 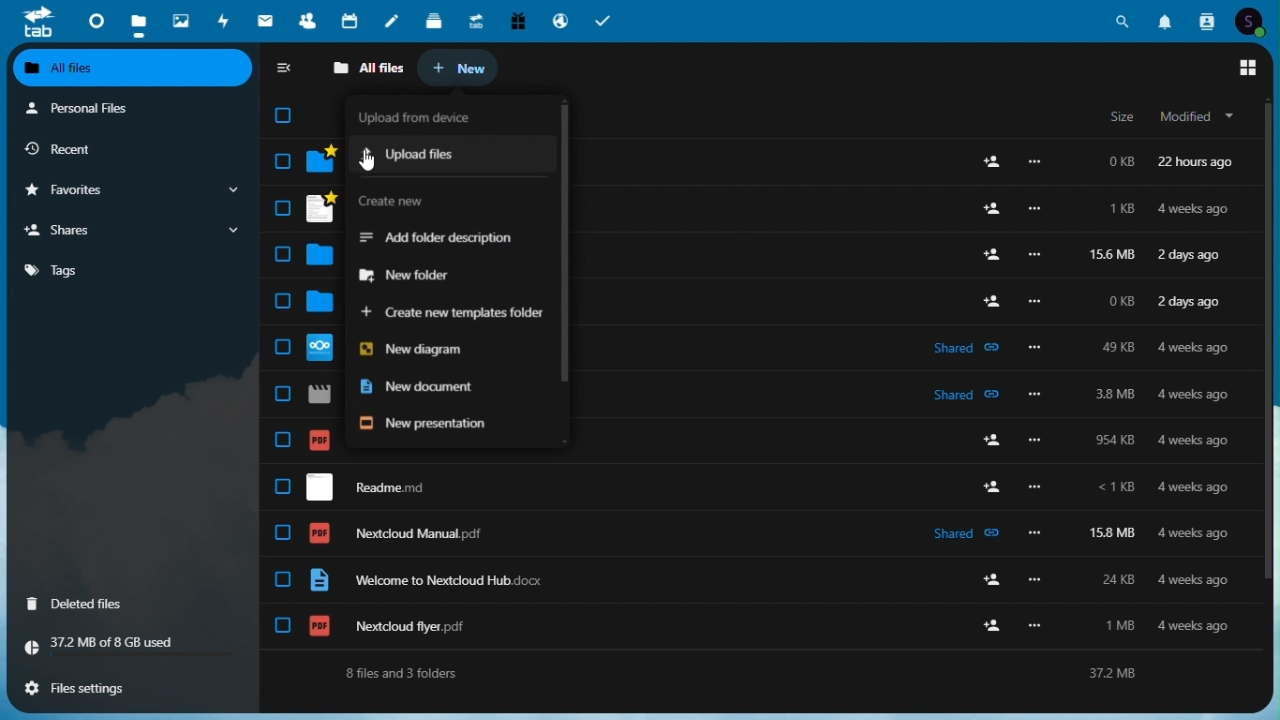 I want to click on 3.8mb, so click(x=1115, y=397).